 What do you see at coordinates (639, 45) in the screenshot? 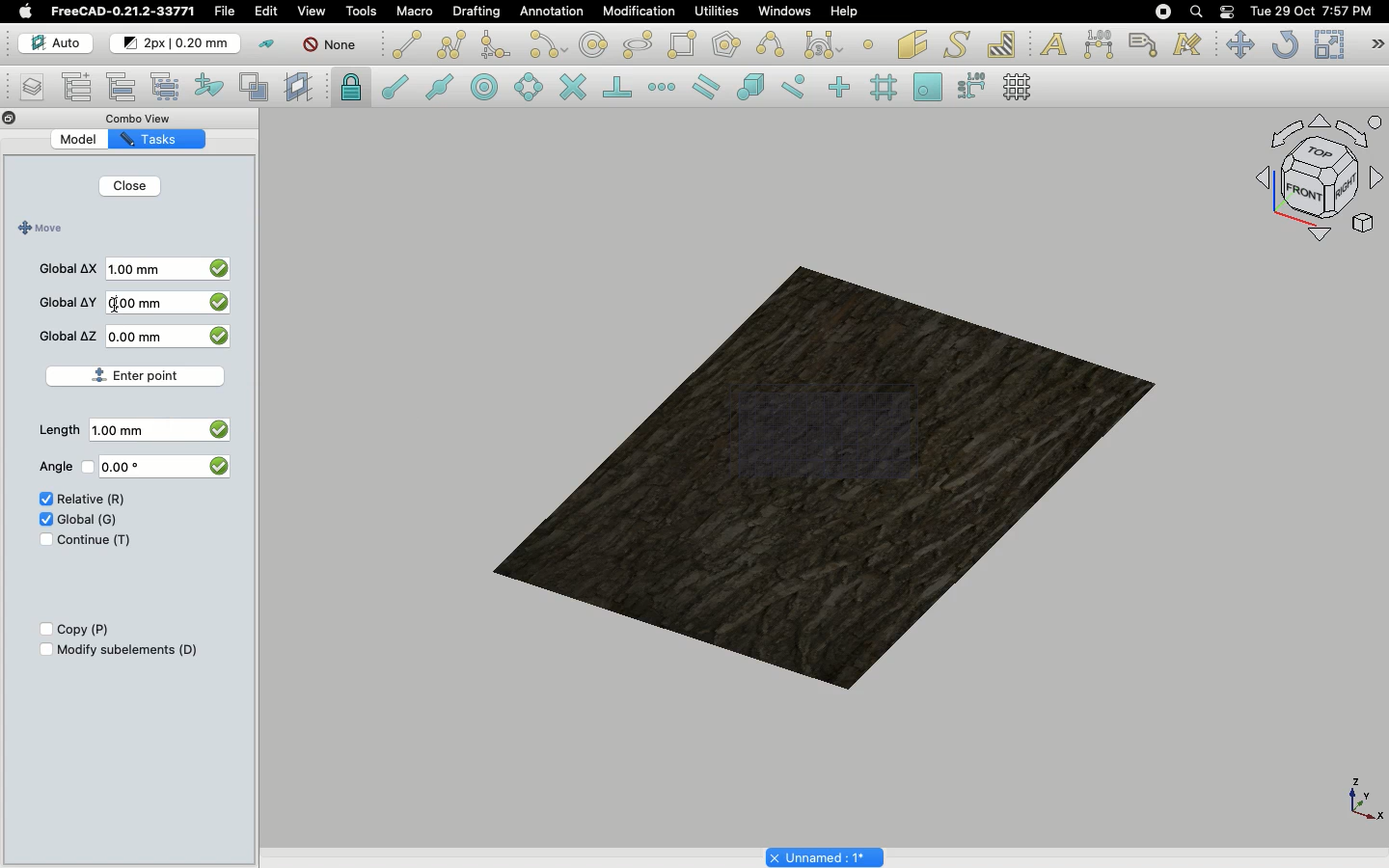
I see `polygon` at bounding box center [639, 45].